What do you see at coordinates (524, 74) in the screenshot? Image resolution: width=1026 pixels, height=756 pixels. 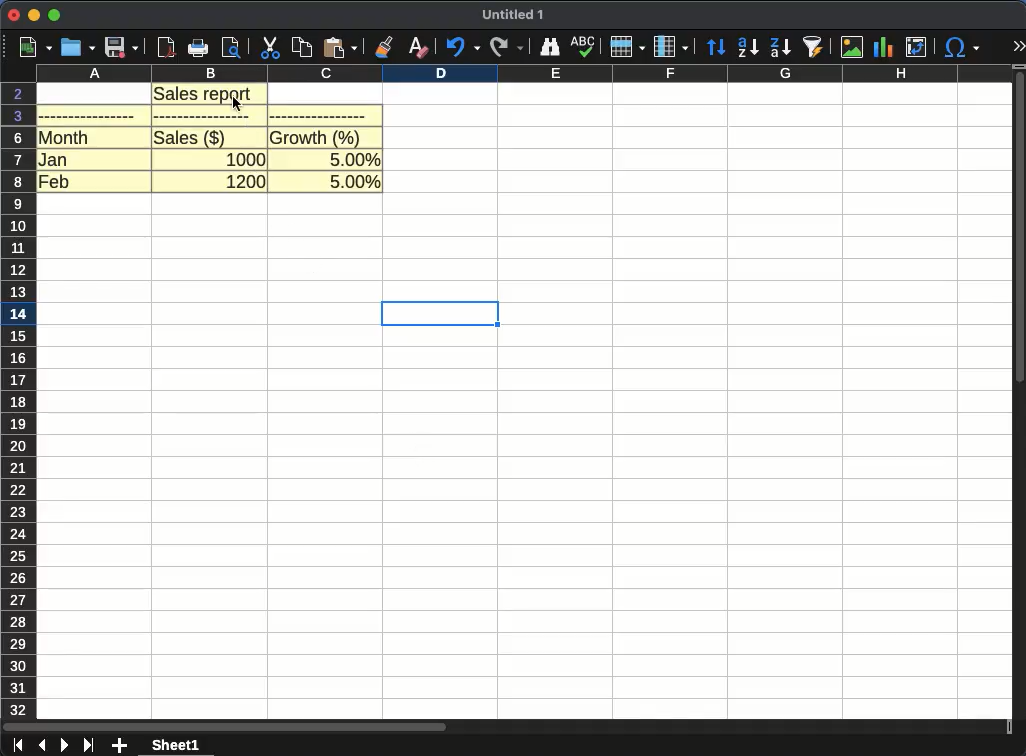 I see `column` at bounding box center [524, 74].